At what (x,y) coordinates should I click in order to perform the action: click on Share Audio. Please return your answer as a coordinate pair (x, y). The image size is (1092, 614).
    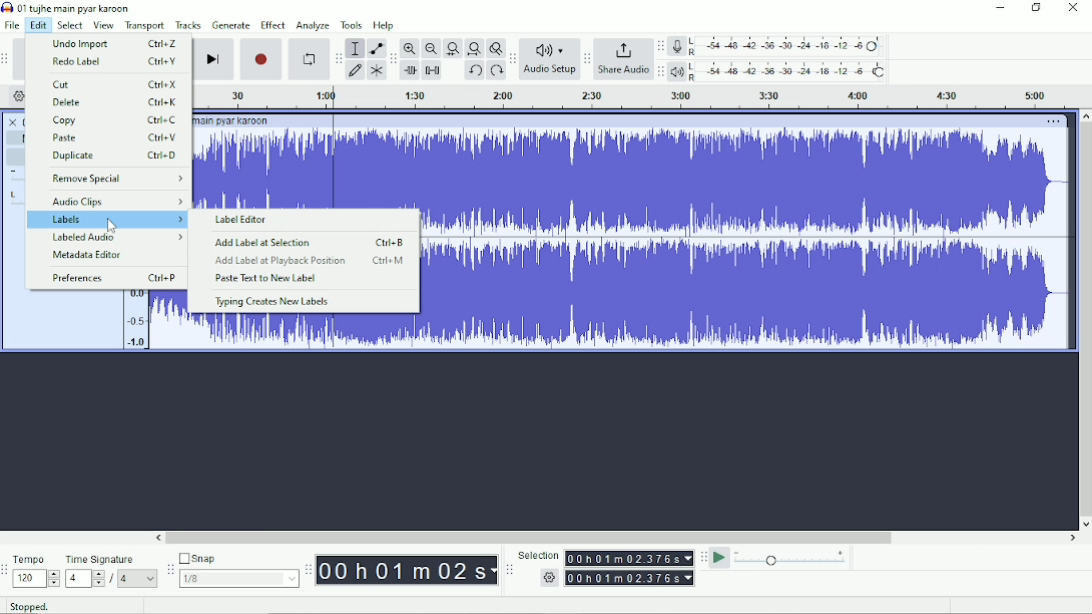
    Looking at the image, I should click on (623, 61).